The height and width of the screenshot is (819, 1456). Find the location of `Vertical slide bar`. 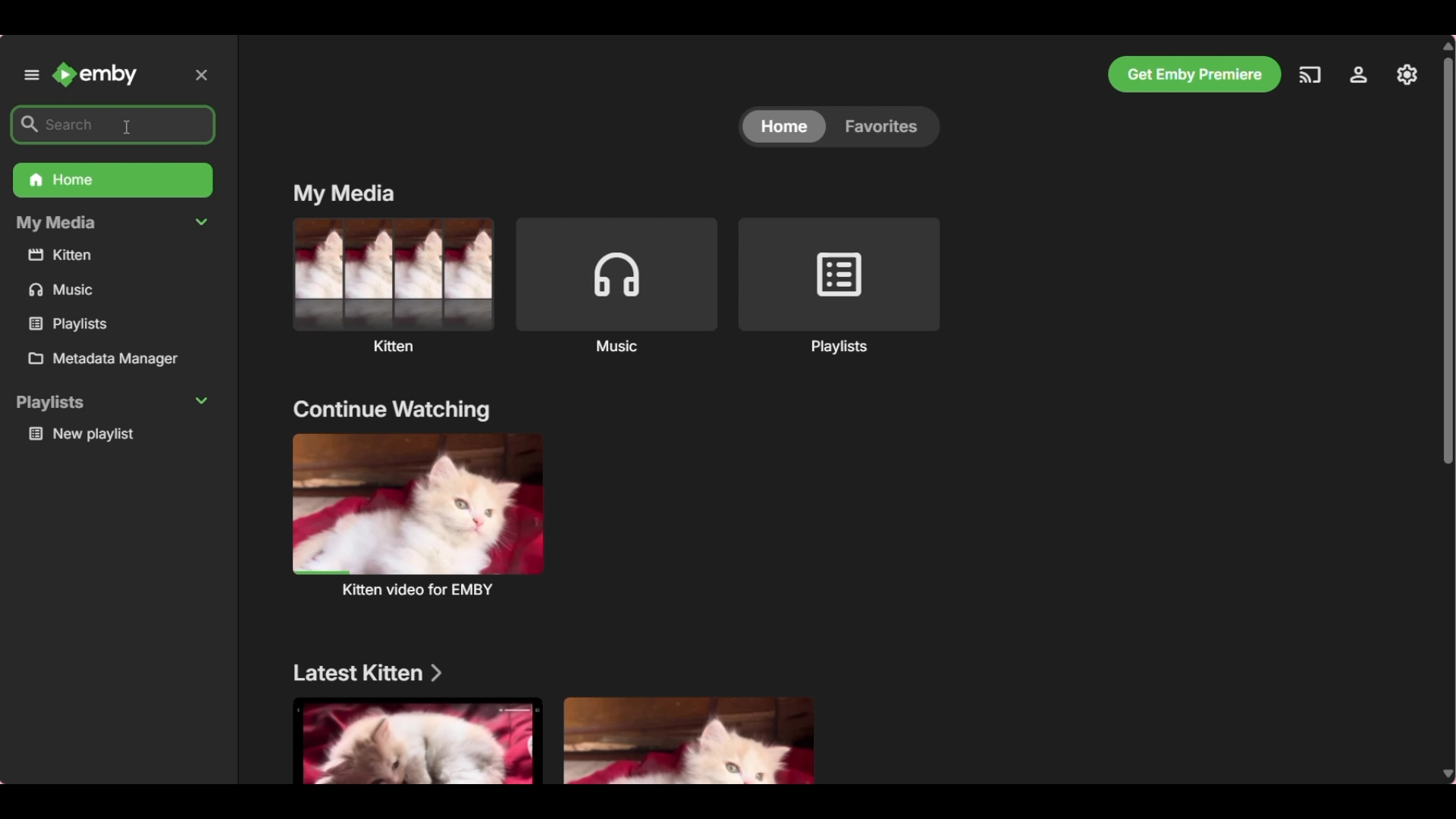

Vertical slide bar is located at coordinates (1448, 411).